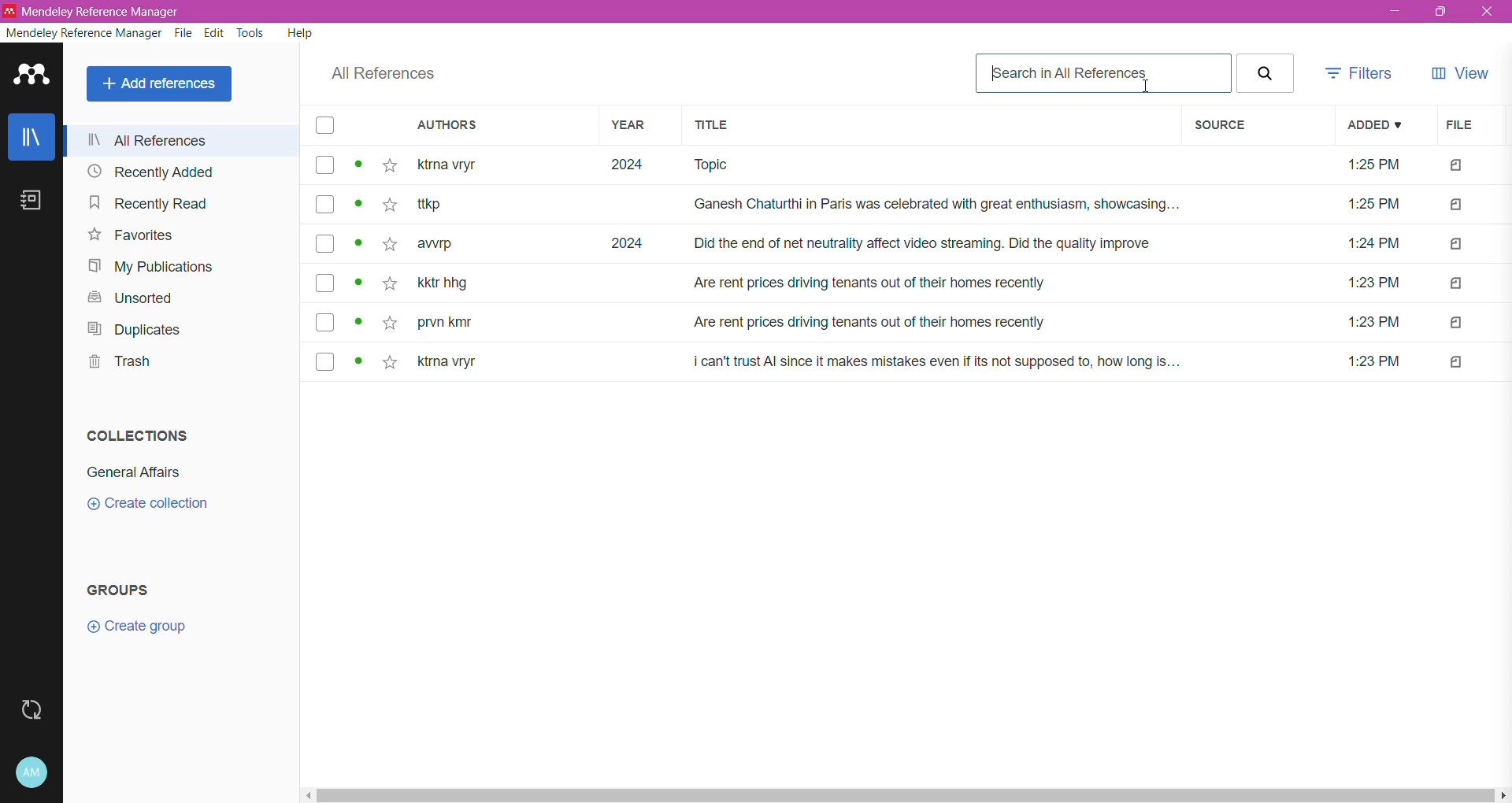 The height and width of the screenshot is (803, 1512). I want to click on view status, so click(361, 165).